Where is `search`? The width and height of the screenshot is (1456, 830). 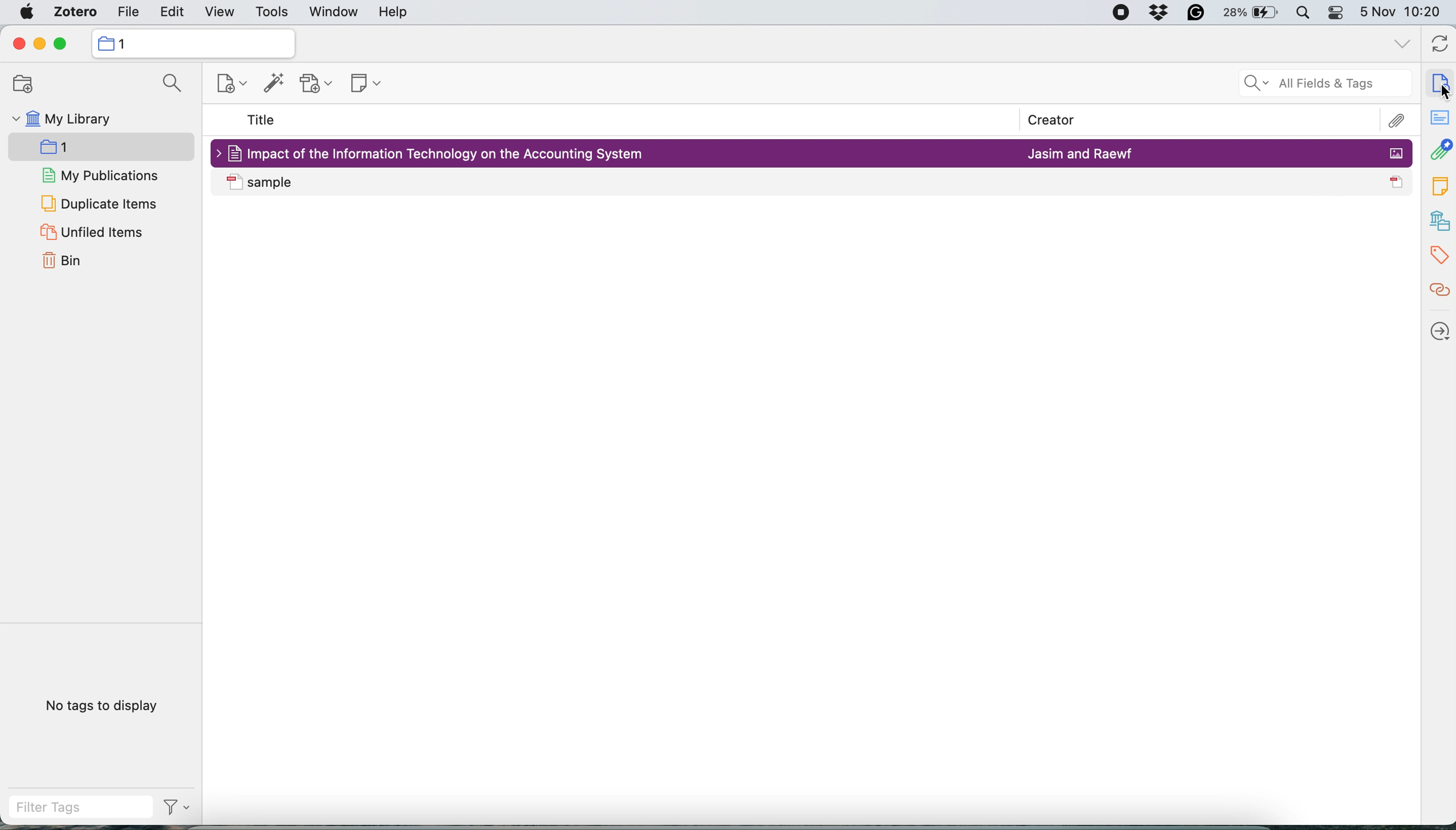
search is located at coordinates (174, 83).